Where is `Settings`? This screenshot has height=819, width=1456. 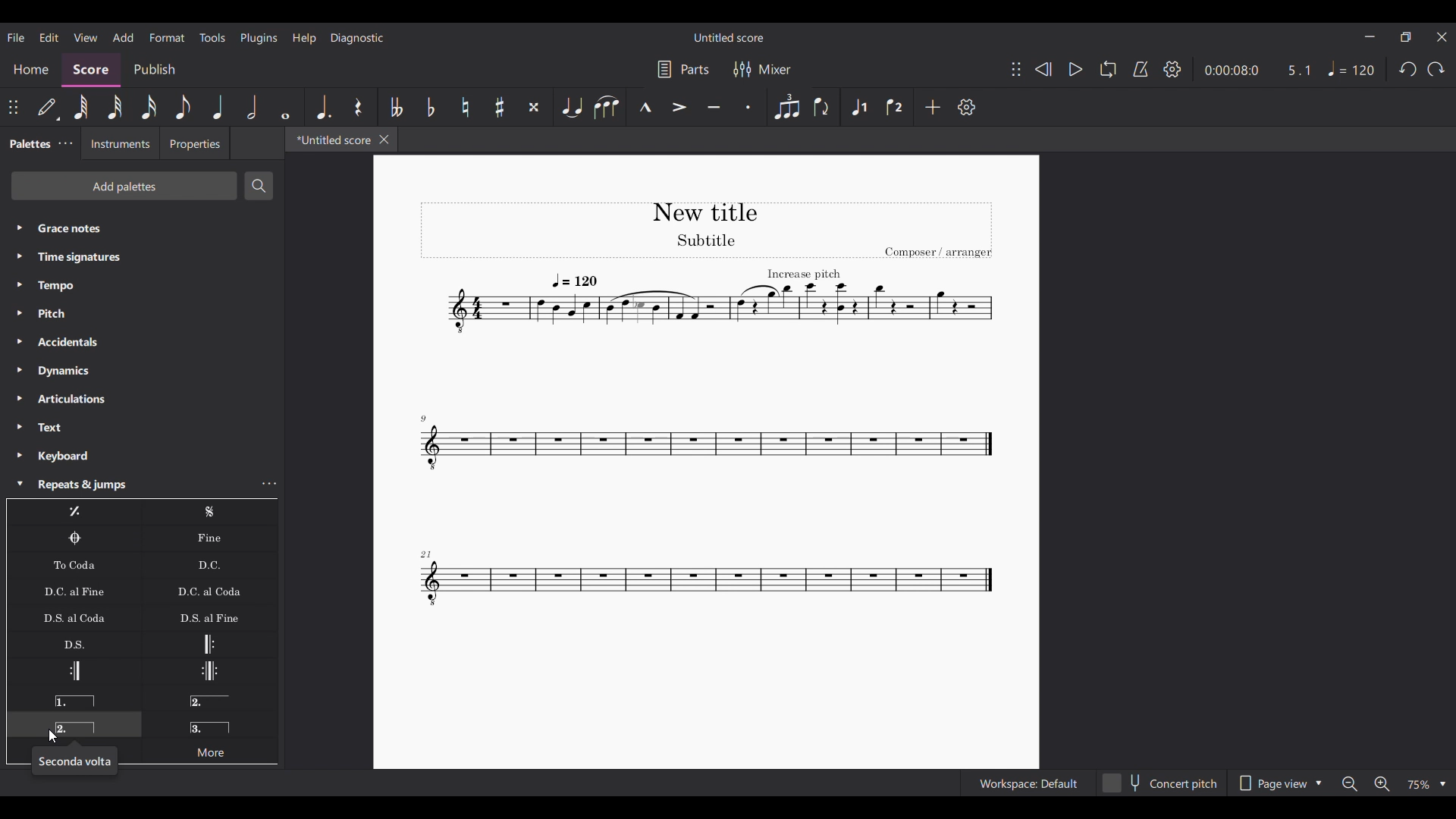 Settings is located at coordinates (967, 107).